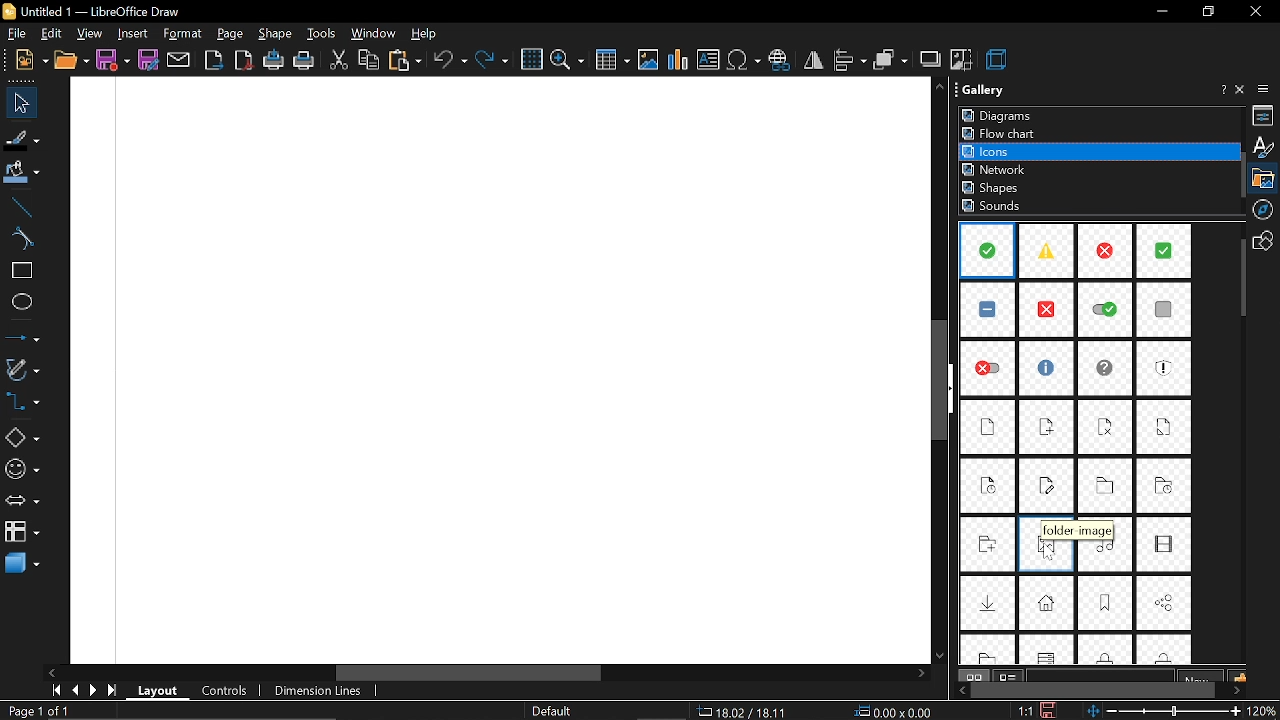 Image resolution: width=1280 pixels, height=720 pixels. I want to click on attach, so click(179, 59).